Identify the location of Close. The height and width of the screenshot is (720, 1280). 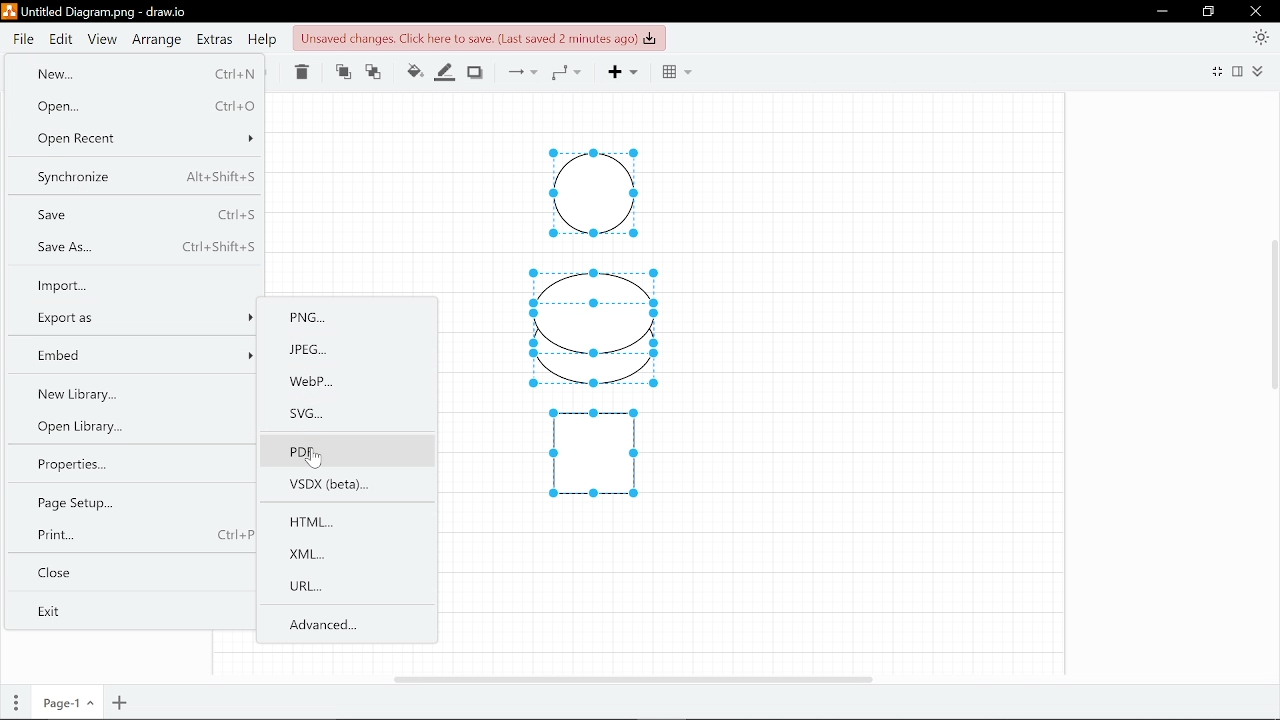
(134, 573).